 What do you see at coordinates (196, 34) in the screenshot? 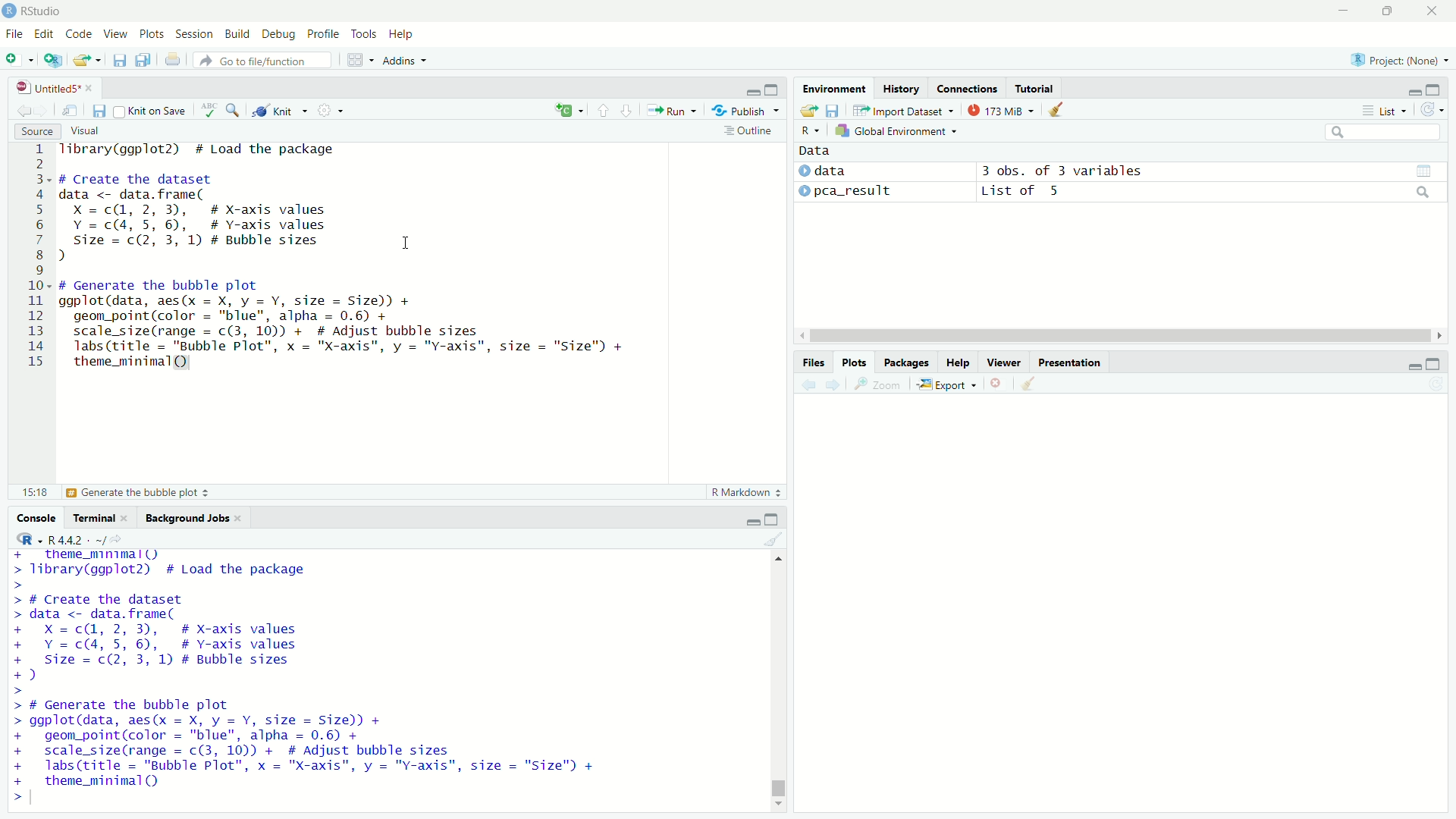
I see `Session` at bounding box center [196, 34].